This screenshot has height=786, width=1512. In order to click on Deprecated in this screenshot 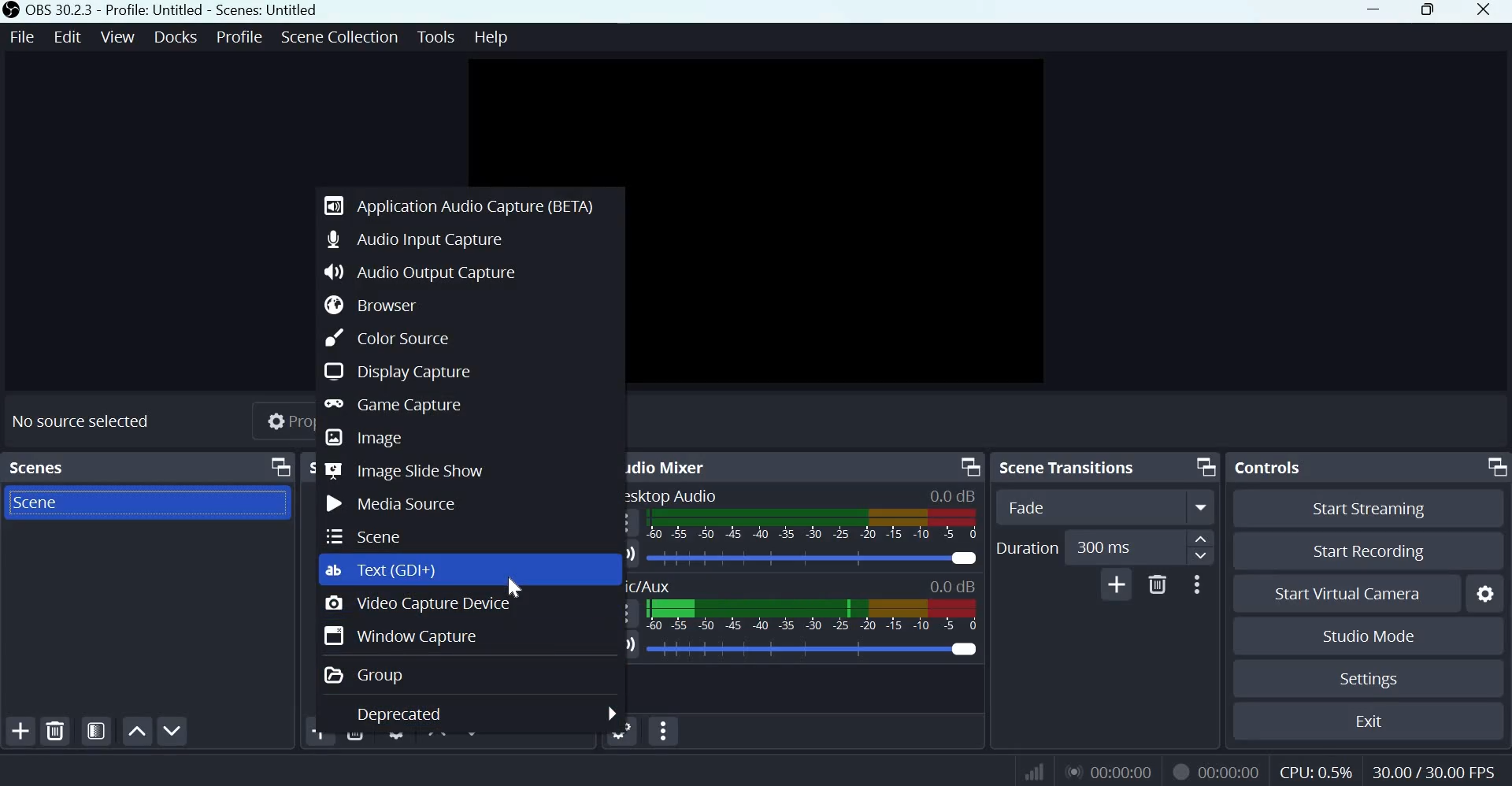, I will do `click(402, 714)`.